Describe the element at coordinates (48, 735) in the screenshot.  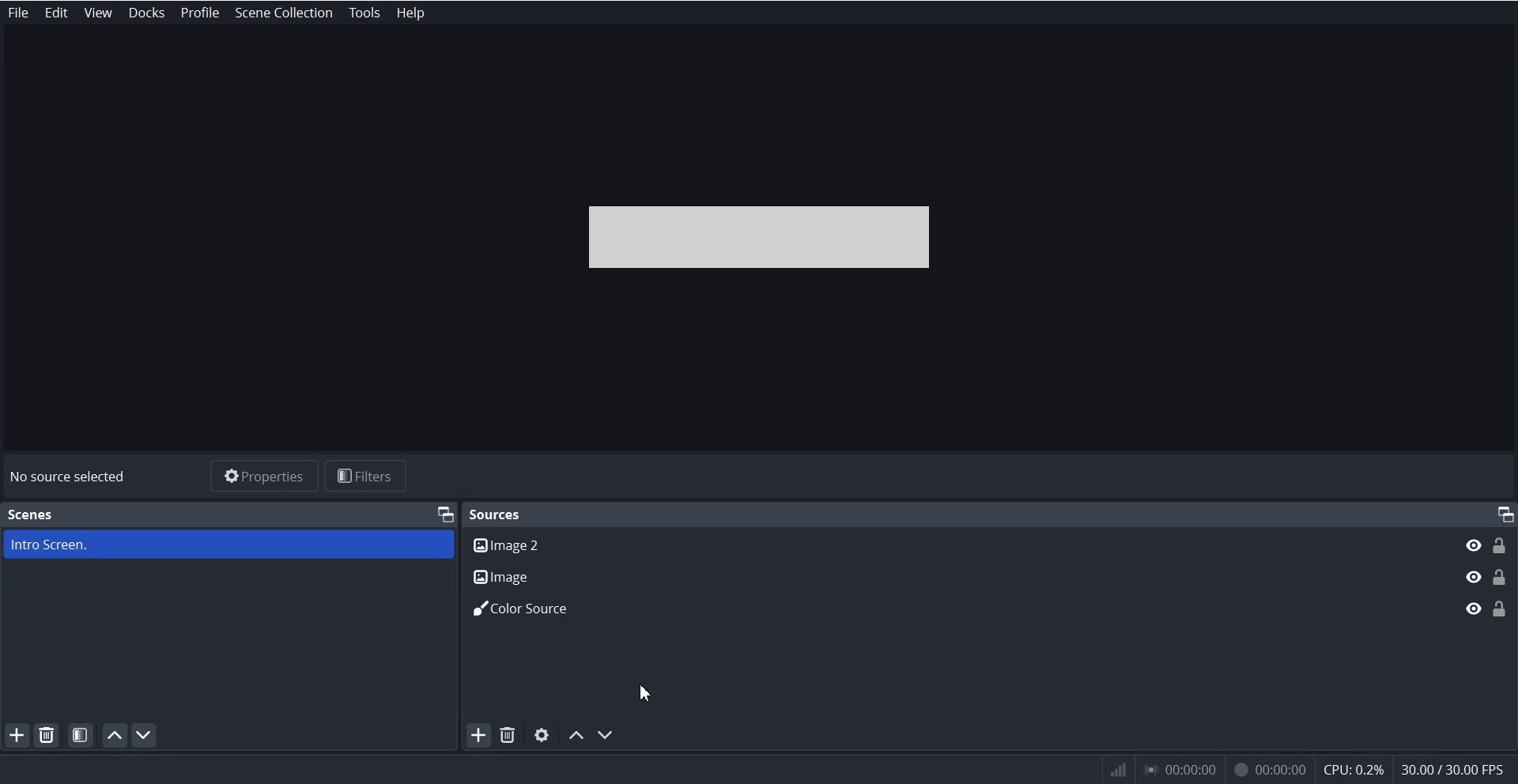
I see `Remove Selected Scene` at that location.